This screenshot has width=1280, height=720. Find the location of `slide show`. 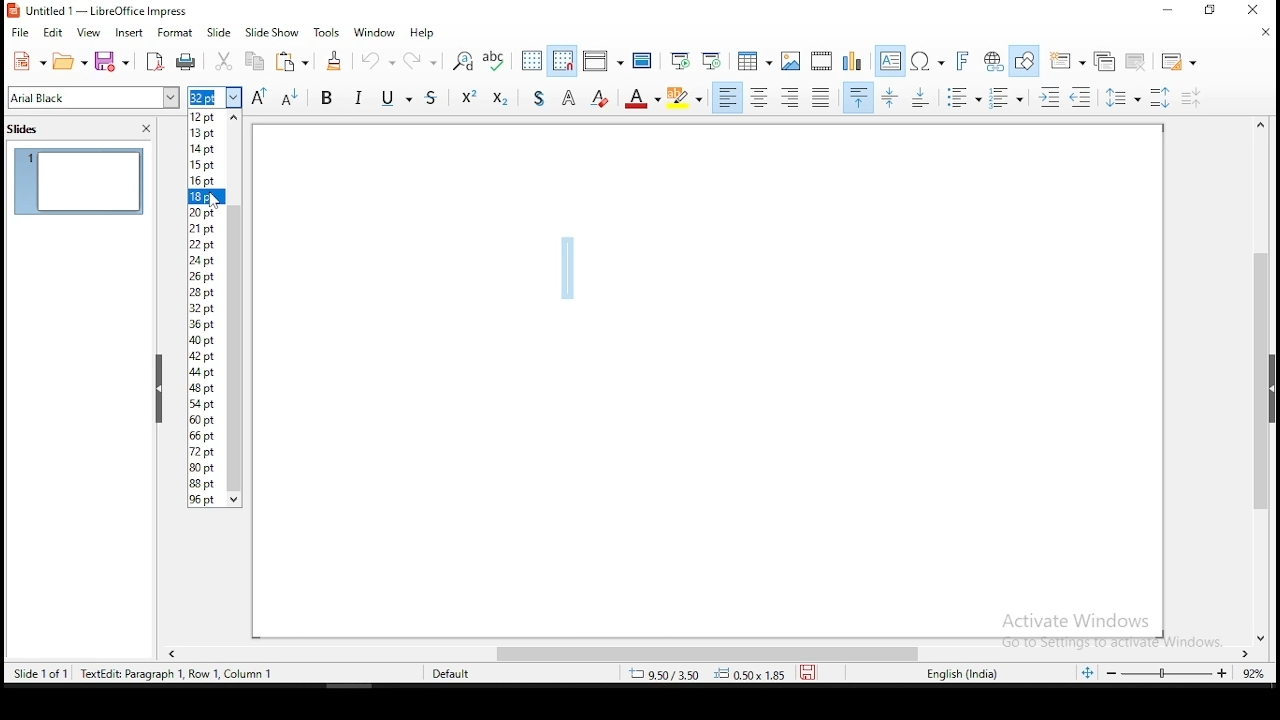

slide show is located at coordinates (271, 33).